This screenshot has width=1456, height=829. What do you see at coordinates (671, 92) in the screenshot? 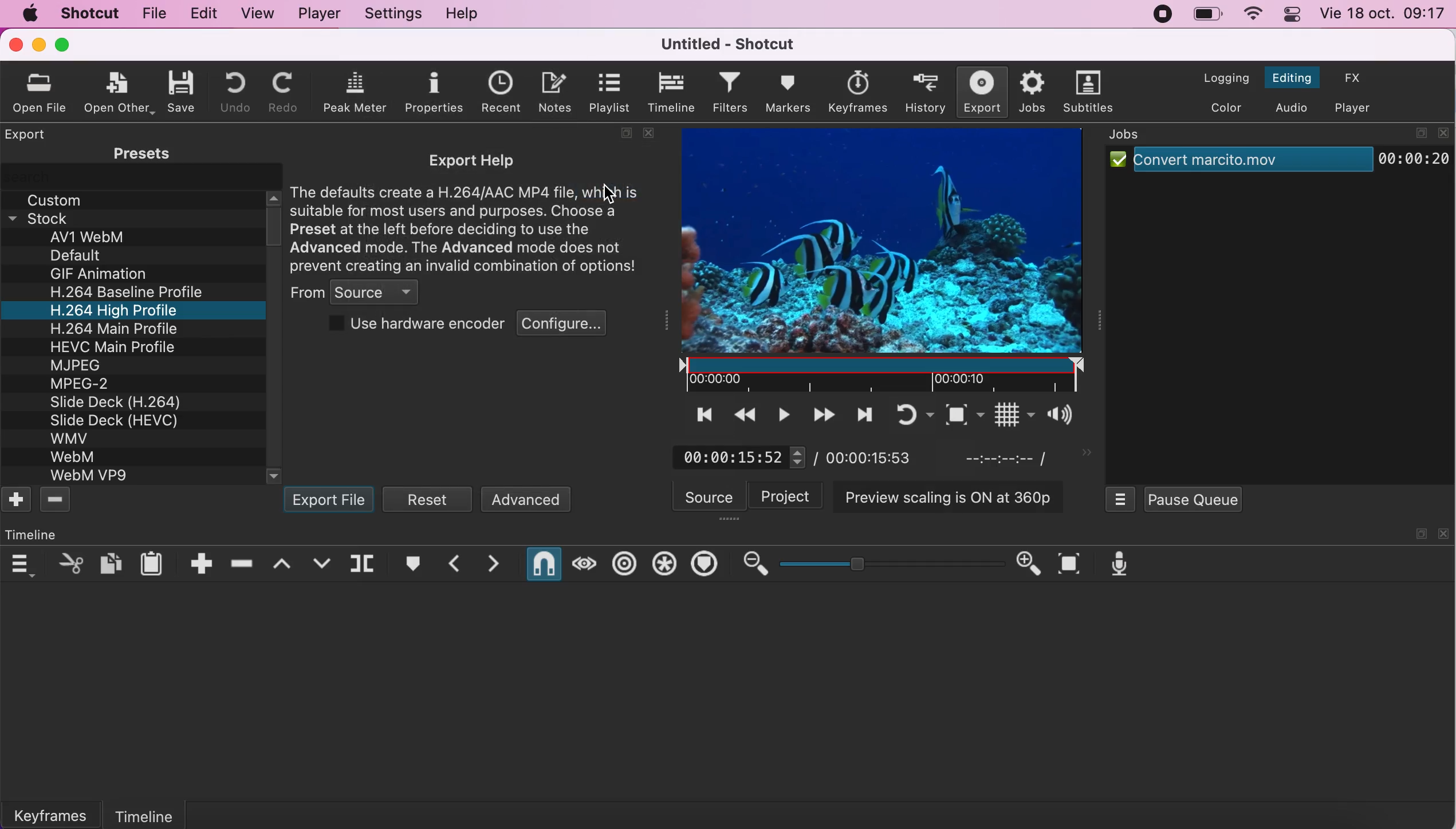
I see `timeline` at bounding box center [671, 92].